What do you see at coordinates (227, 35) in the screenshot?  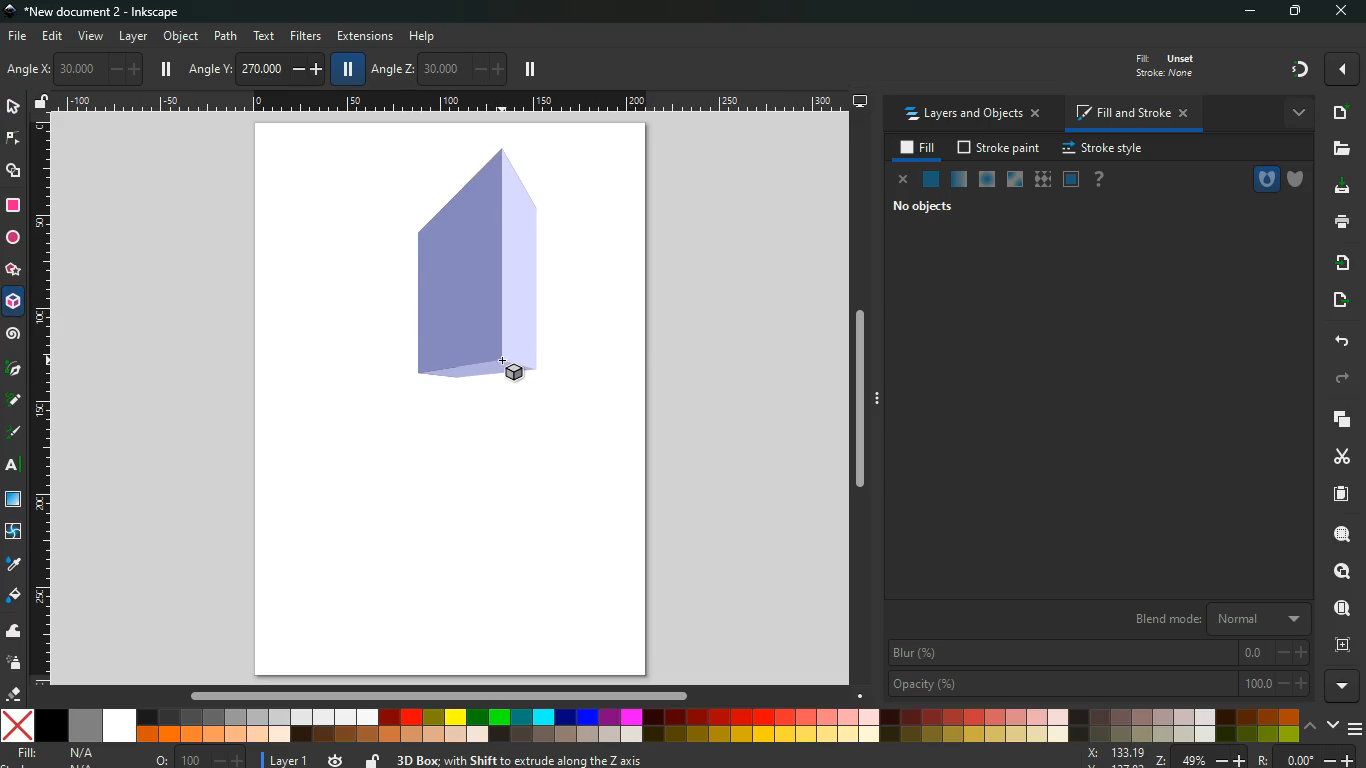 I see `path` at bounding box center [227, 35].